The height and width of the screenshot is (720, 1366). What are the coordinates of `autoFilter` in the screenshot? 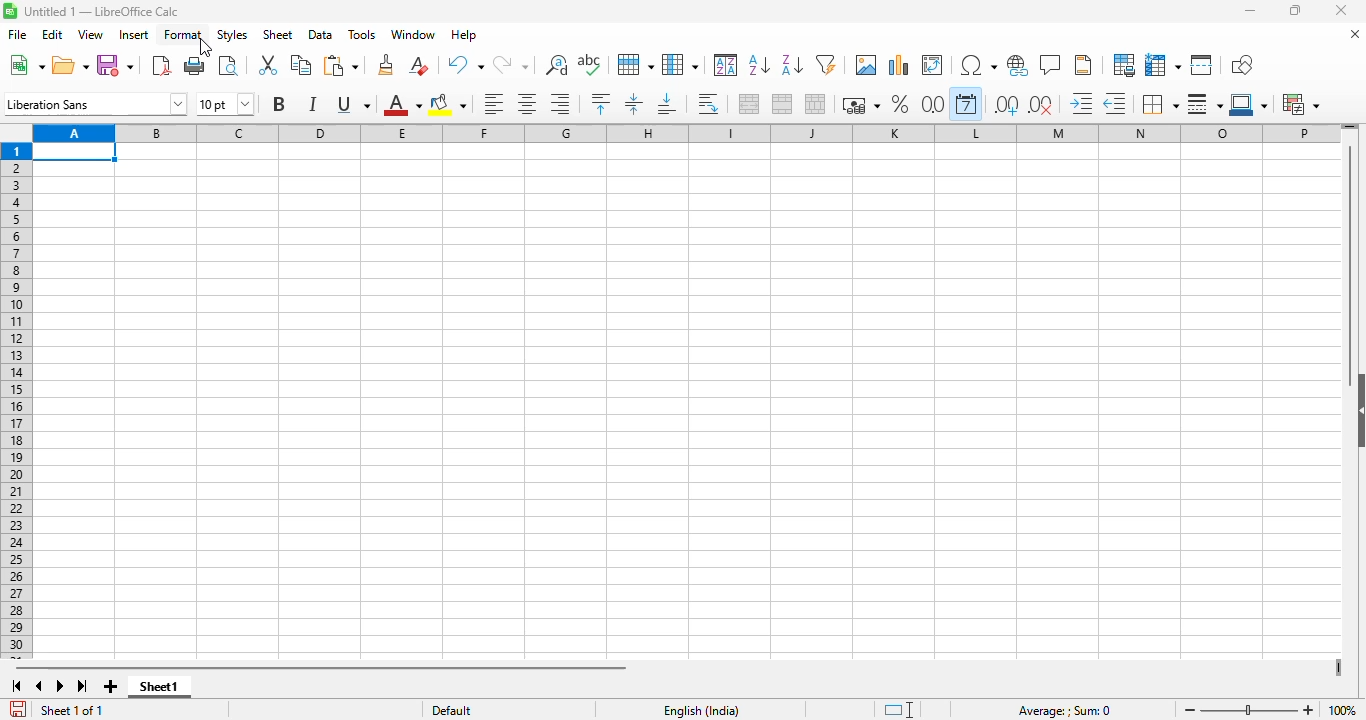 It's located at (826, 65).